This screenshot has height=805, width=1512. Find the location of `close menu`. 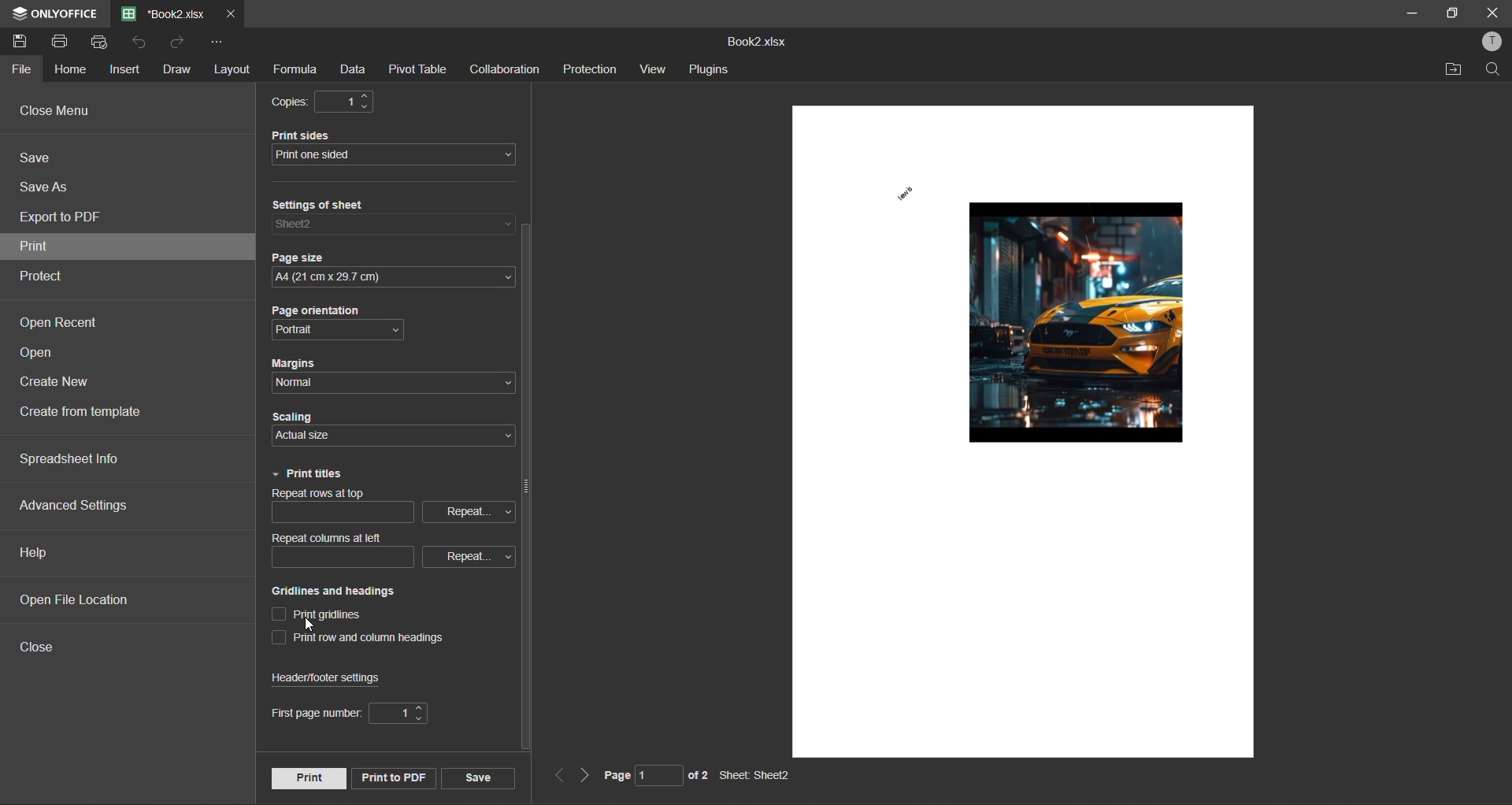

close menu is located at coordinates (91, 112).